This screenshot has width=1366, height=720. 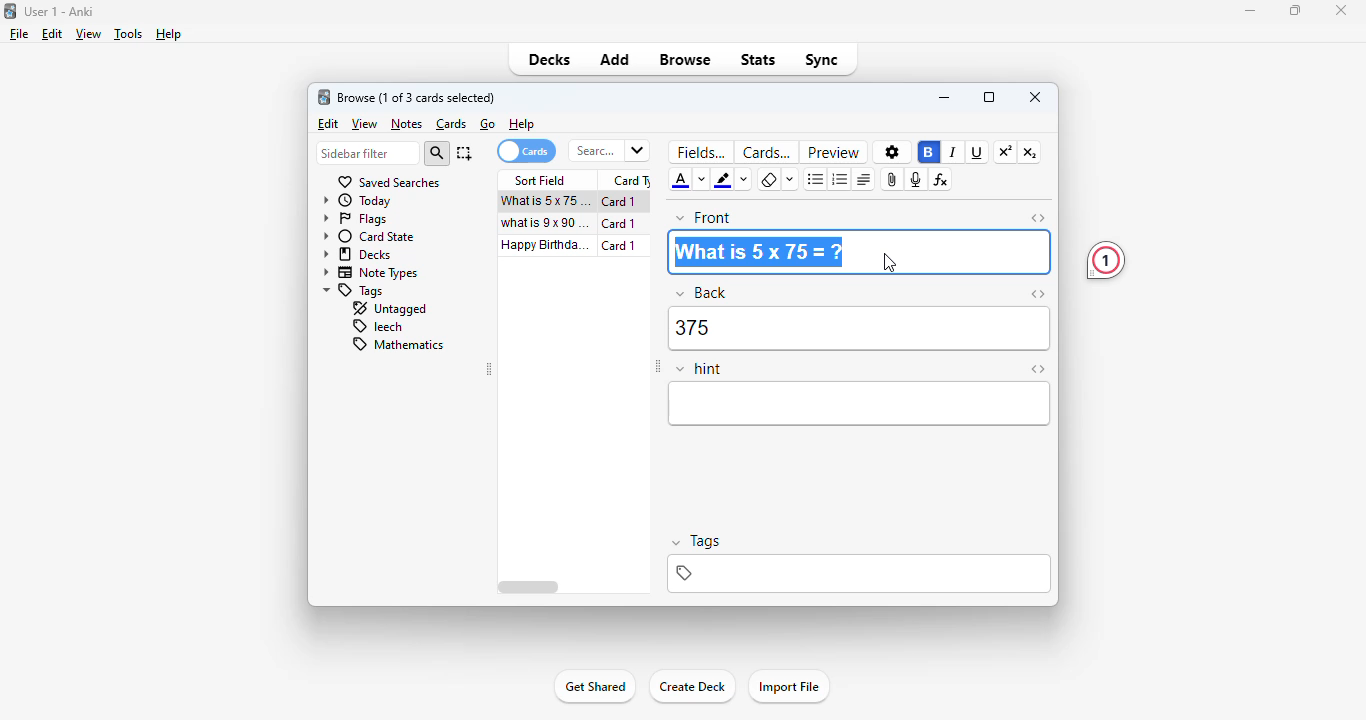 What do you see at coordinates (766, 153) in the screenshot?
I see `cards ` at bounding box center [766, 153].